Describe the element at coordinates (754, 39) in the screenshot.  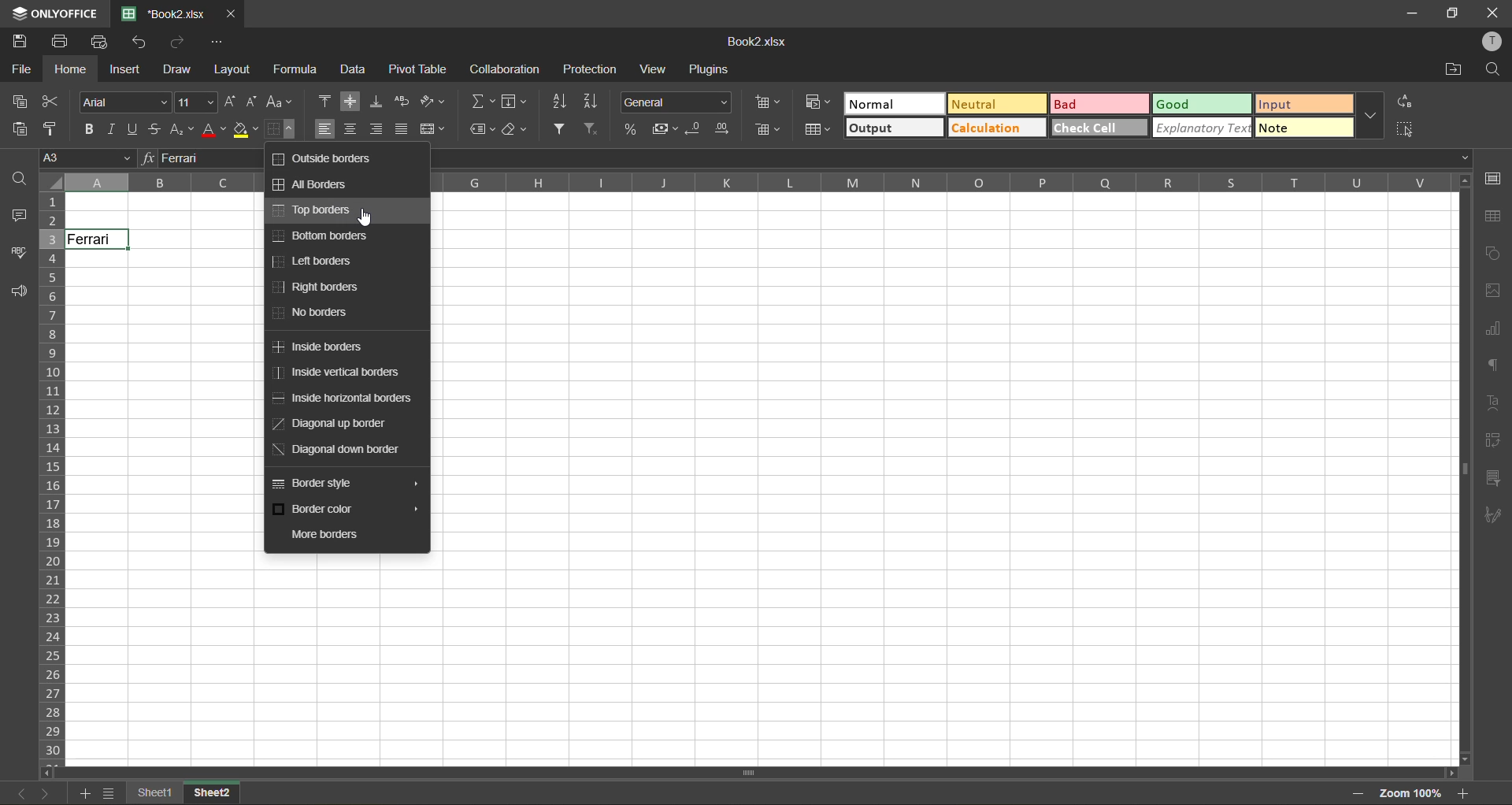
I see `Book2.xlsx` at that location.